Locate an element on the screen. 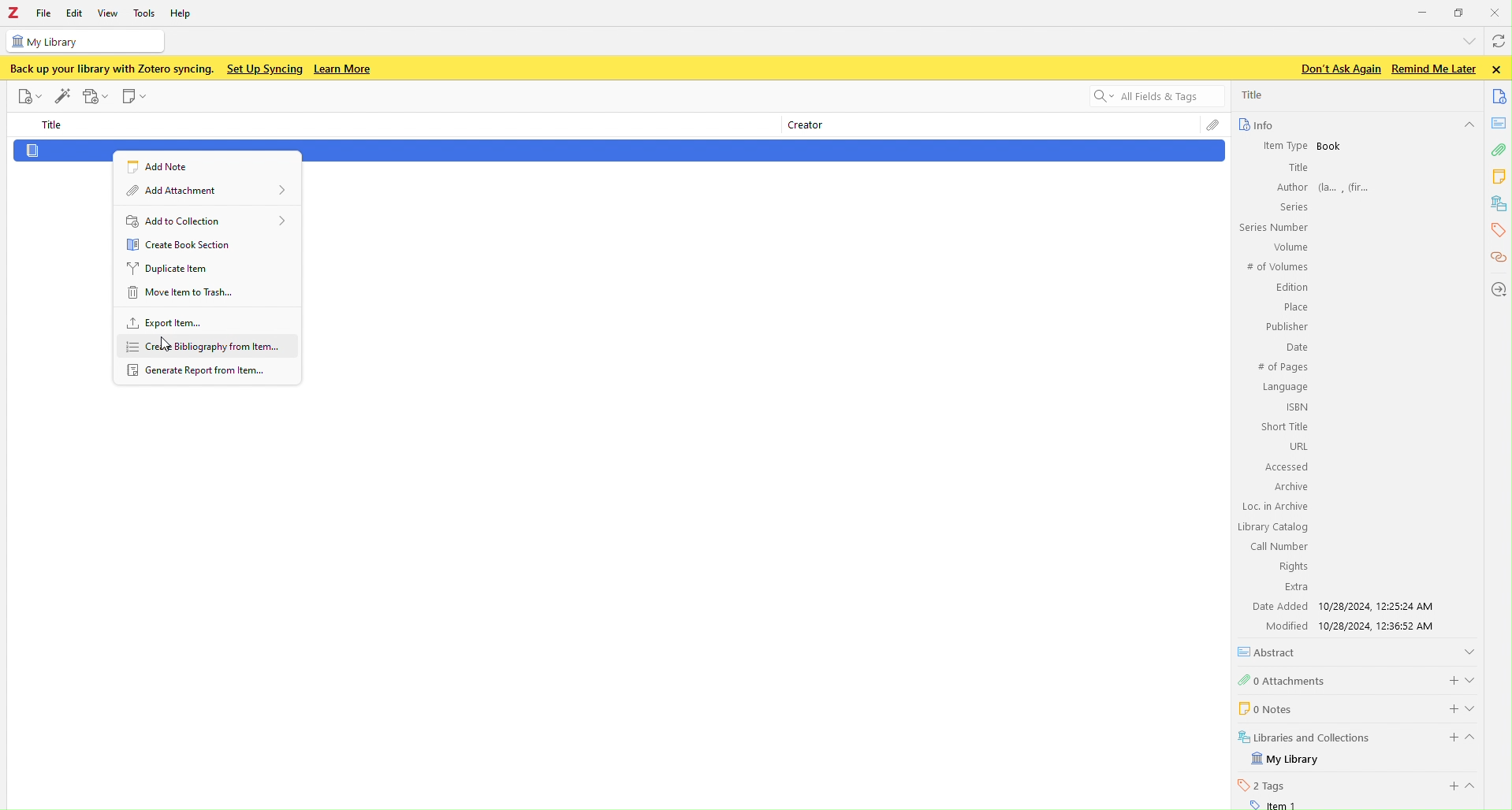  Edit is located at coordinates (73, 13).